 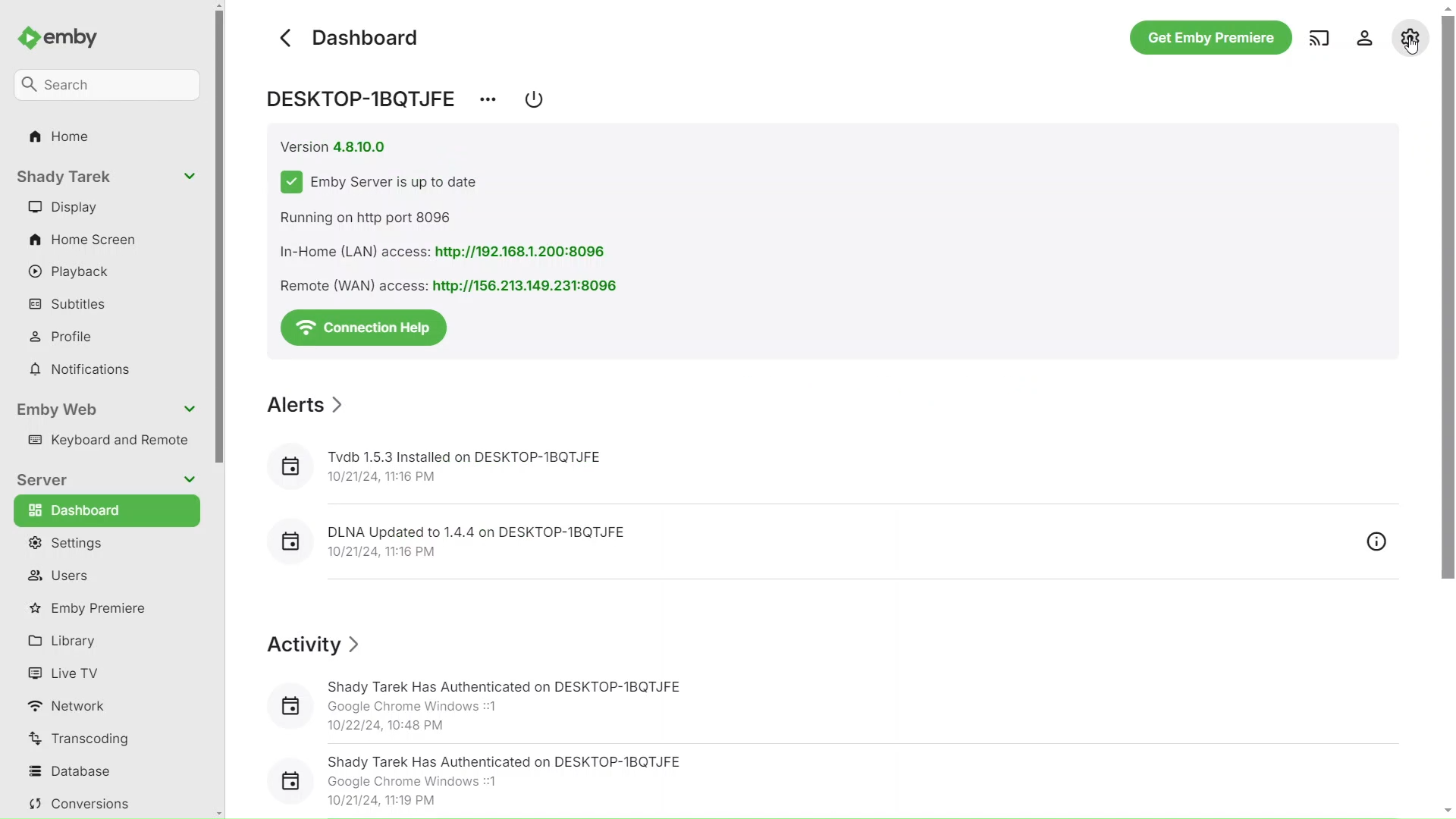 What do you see at coordinates (1367, 37) in the screenshot?
I see `manage profile` at bounding box center [1367, 37].